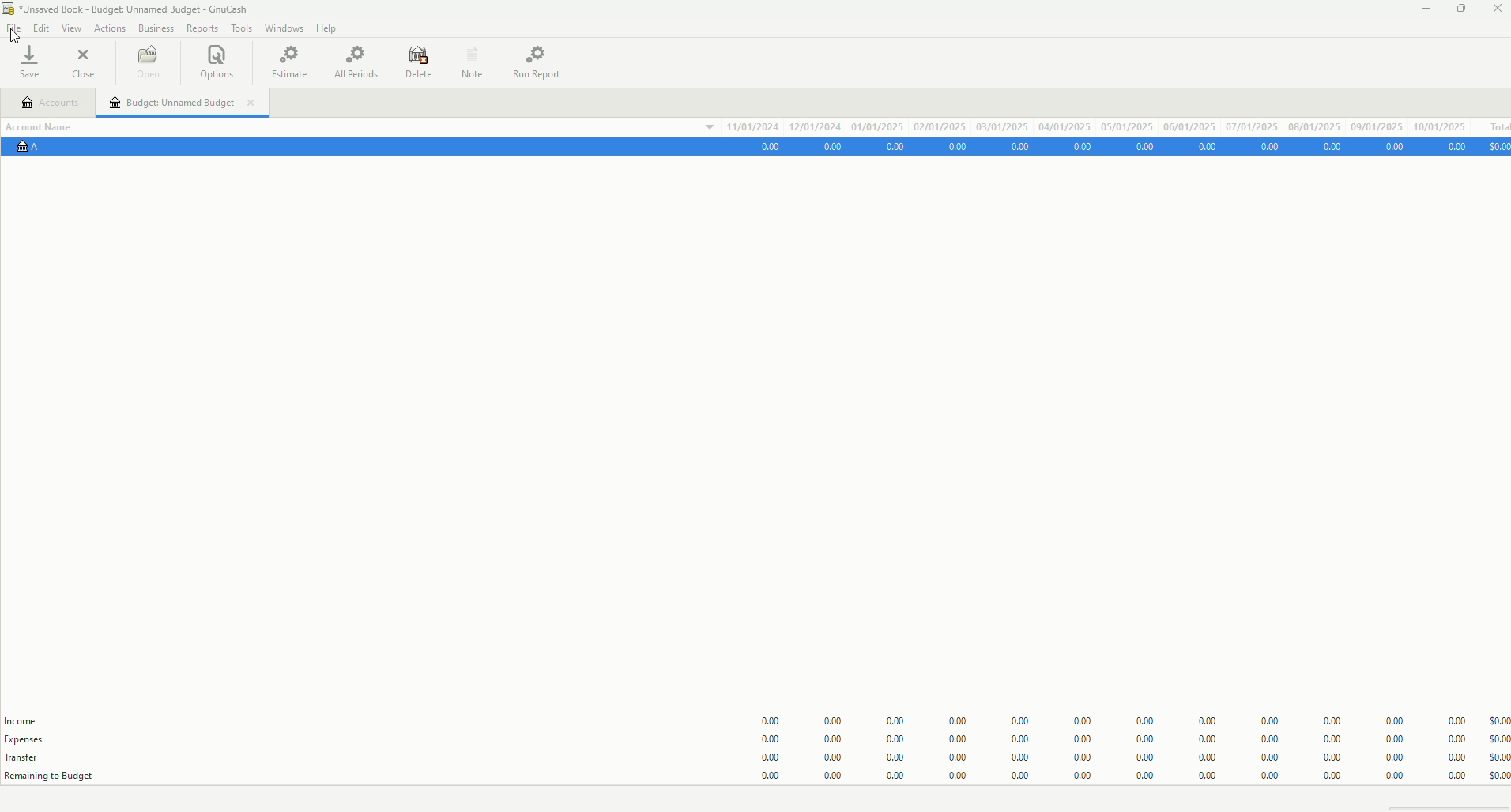 The width and height of the screenshot is (1511, 812). I want to click on Remaining Budget, so click(58, 776).